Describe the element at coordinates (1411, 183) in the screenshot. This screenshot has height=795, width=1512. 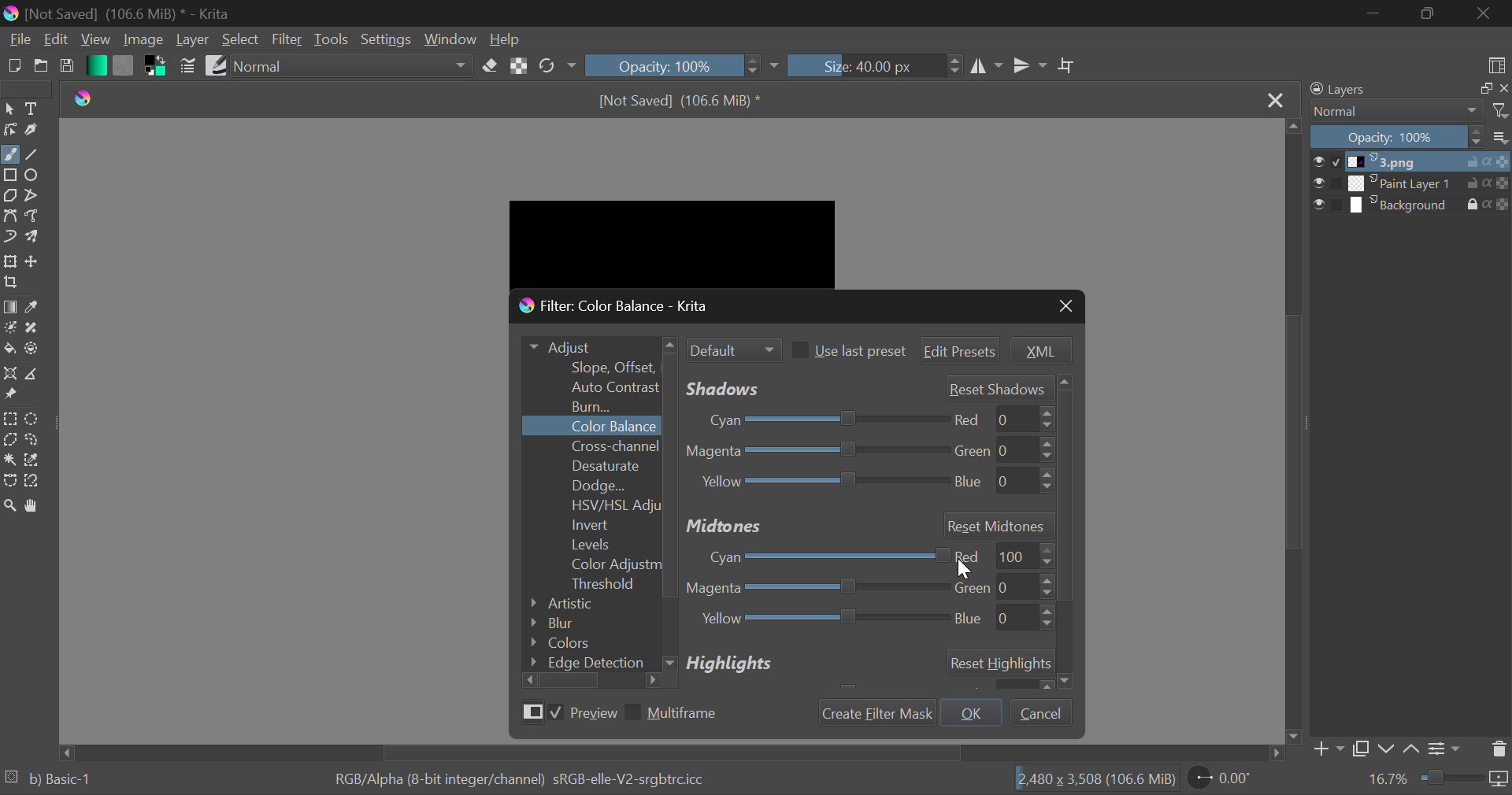
I see `Paint Layer 1` at that location.